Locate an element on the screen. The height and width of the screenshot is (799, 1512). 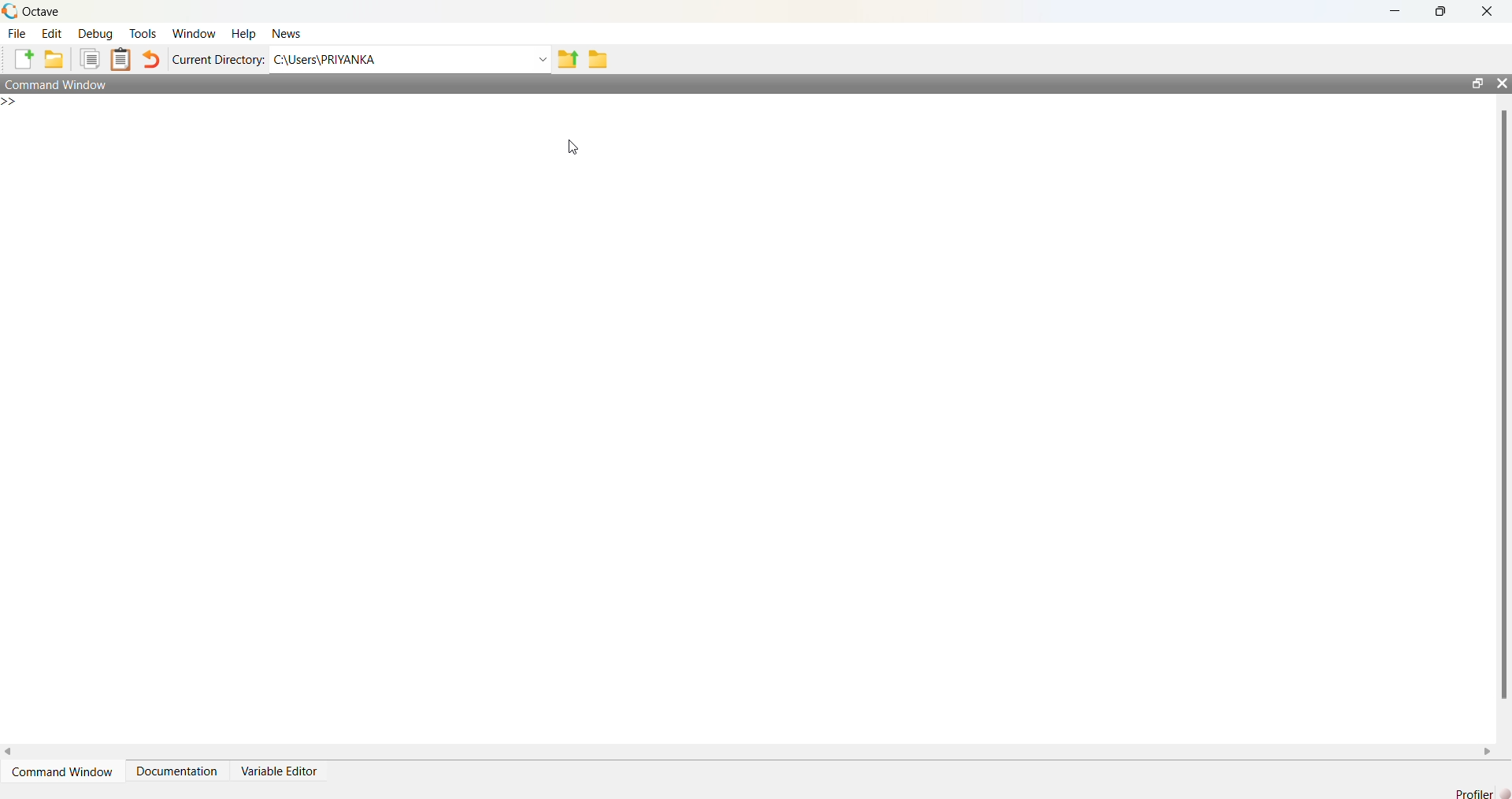
Octave is located at coordinates (9, 11).